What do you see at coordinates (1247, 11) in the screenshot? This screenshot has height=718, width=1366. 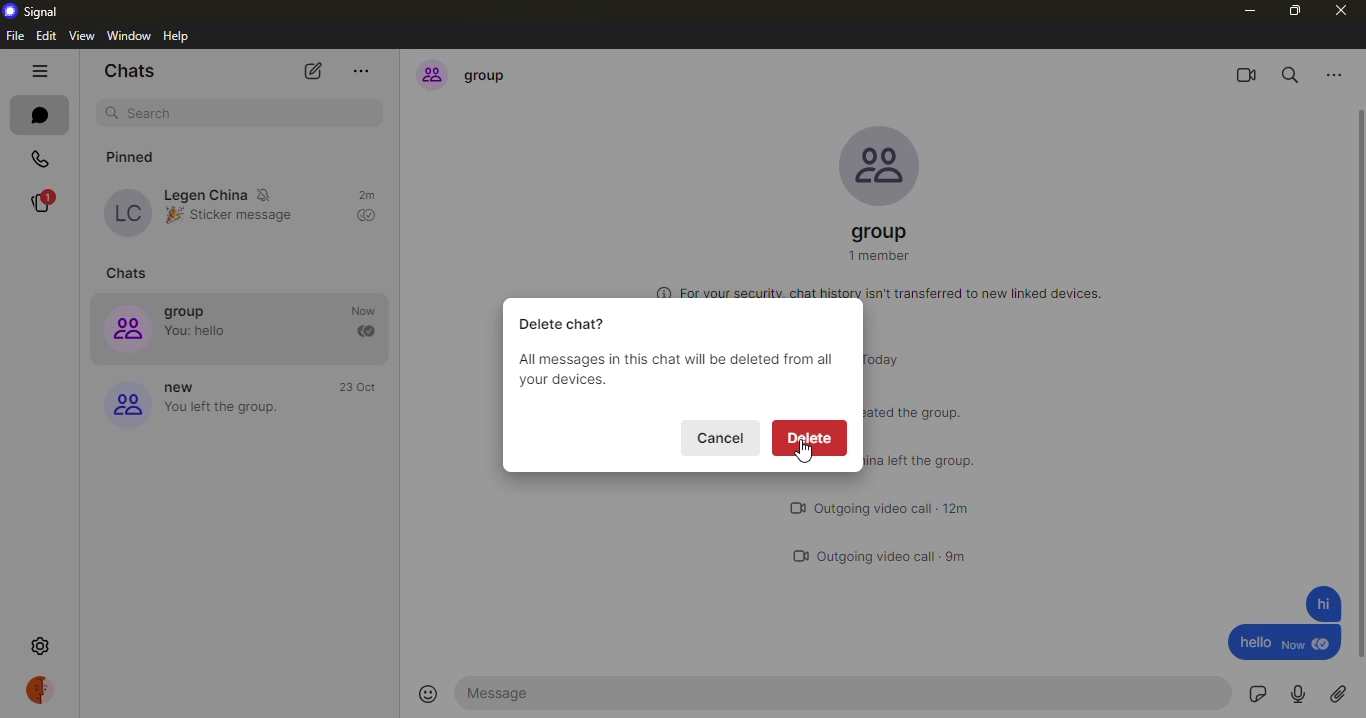 I see `minimize` at bounding box center [1247, 11].